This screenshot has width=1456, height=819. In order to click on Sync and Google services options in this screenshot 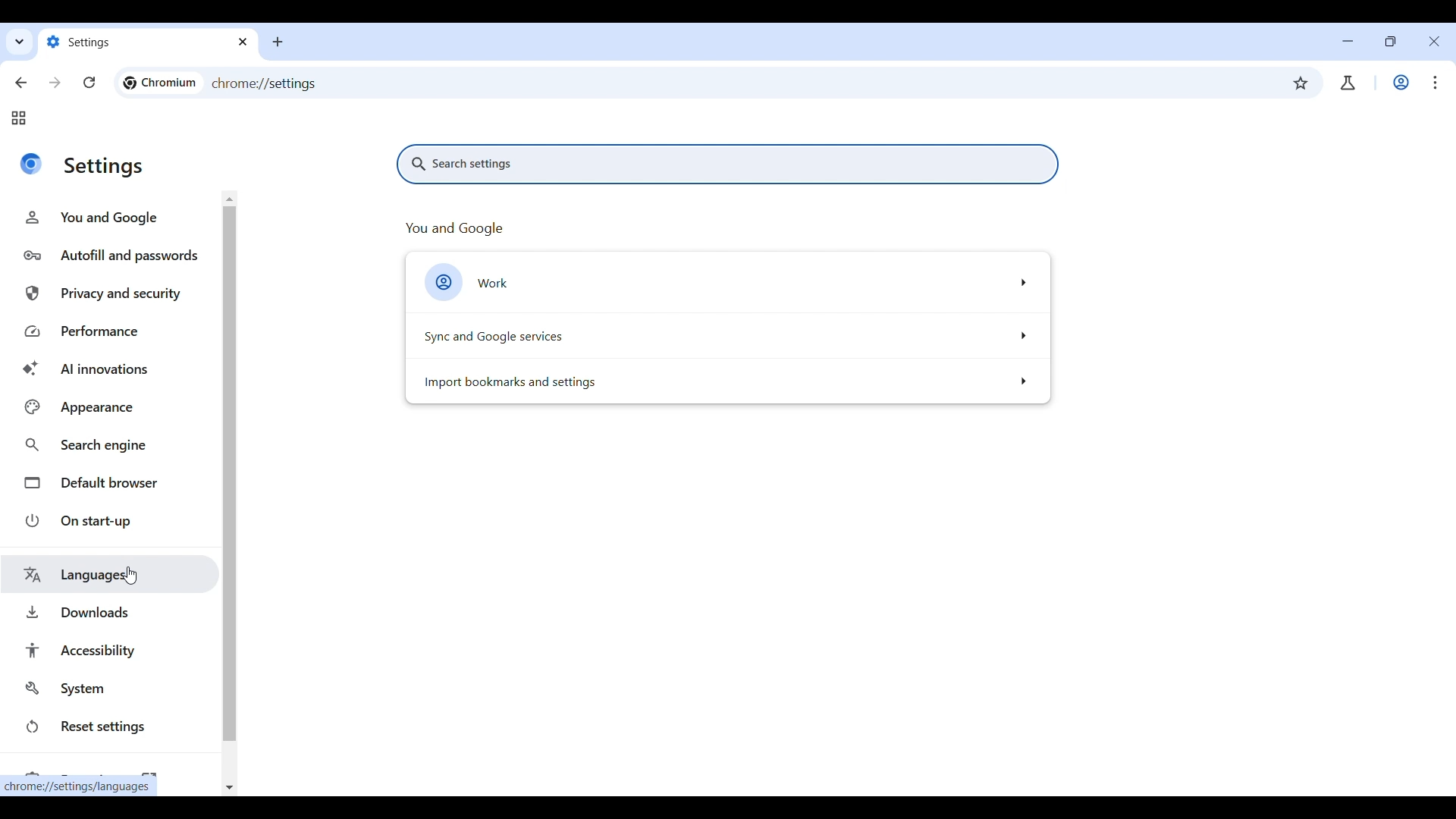, I will do `click(726, 336)`.